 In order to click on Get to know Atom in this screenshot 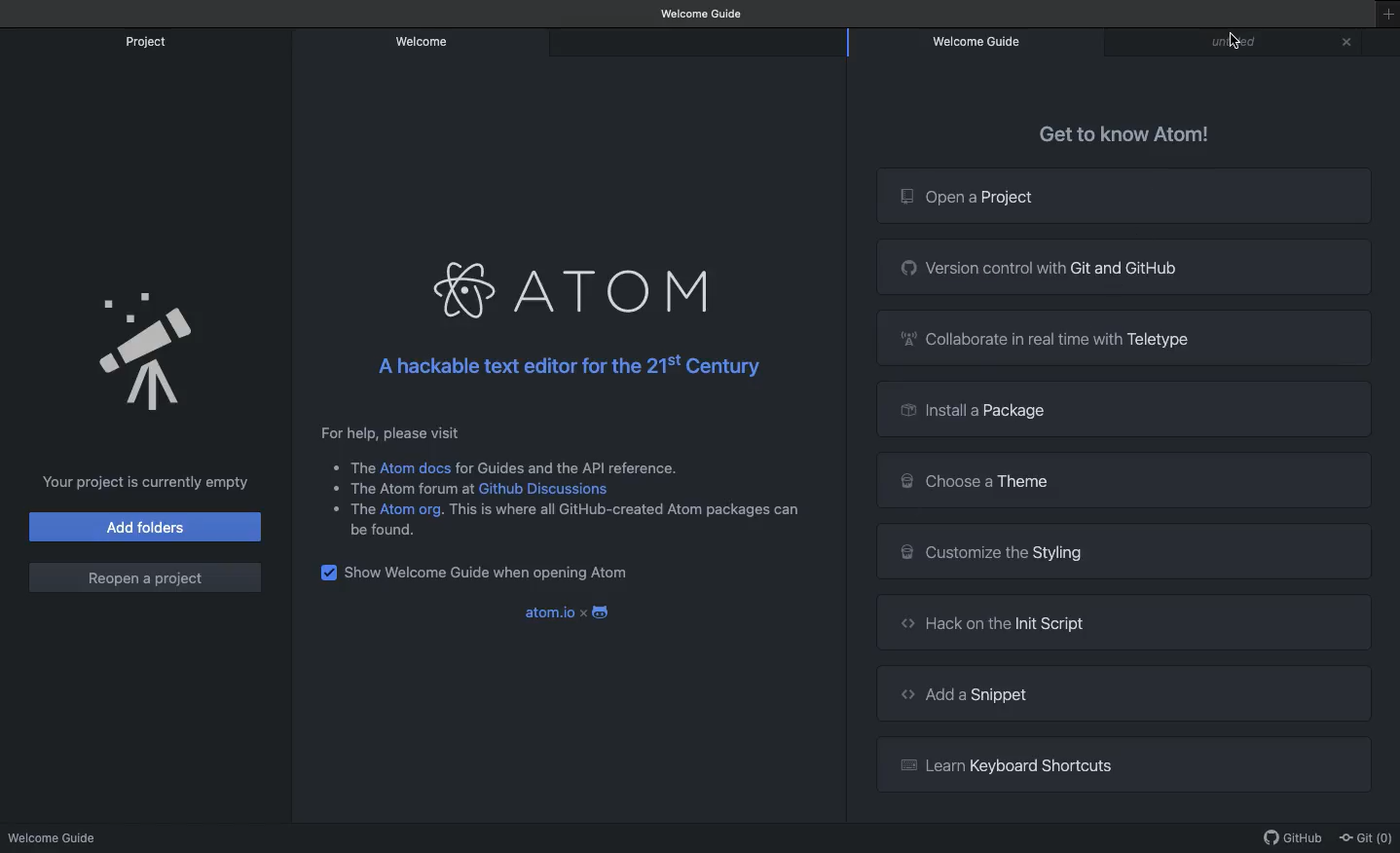, I will do `click(1122, 135)`.